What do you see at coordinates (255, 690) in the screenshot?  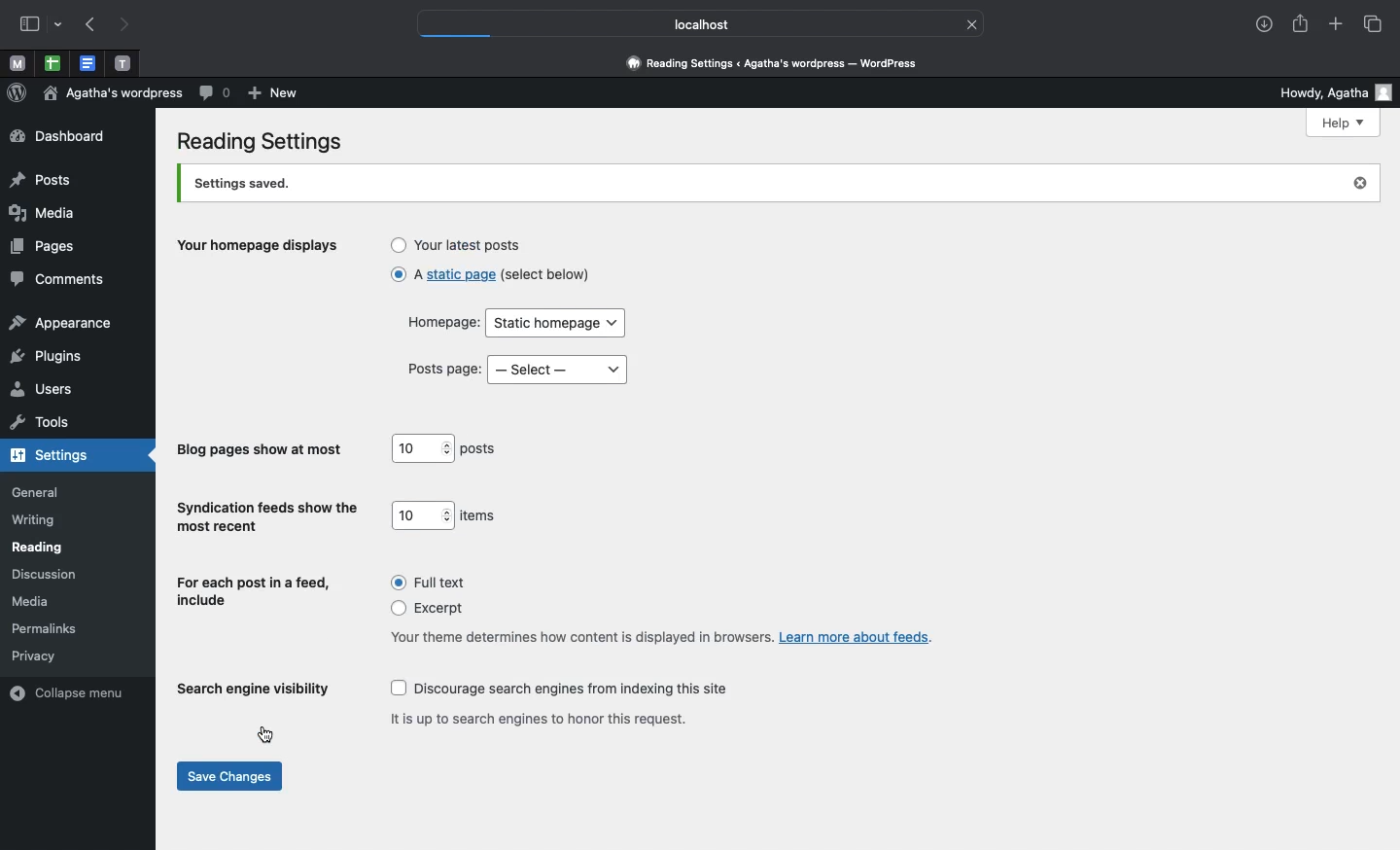 I see `search engine visibility ` at bounding box center [255, 690].